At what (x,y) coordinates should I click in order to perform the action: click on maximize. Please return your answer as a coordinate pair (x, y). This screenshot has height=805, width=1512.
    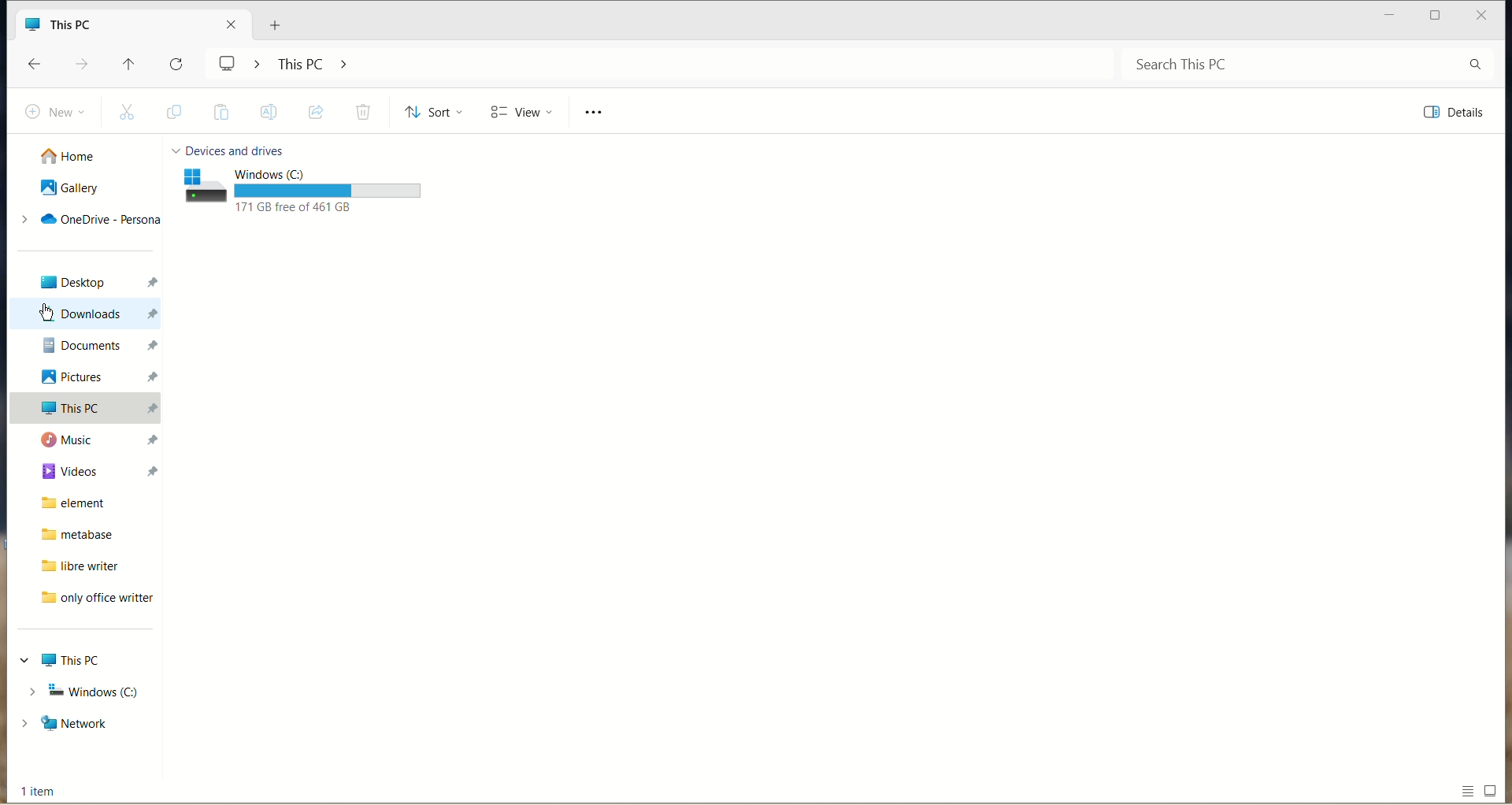
    Looking at the image, I should click on (1390, 16).